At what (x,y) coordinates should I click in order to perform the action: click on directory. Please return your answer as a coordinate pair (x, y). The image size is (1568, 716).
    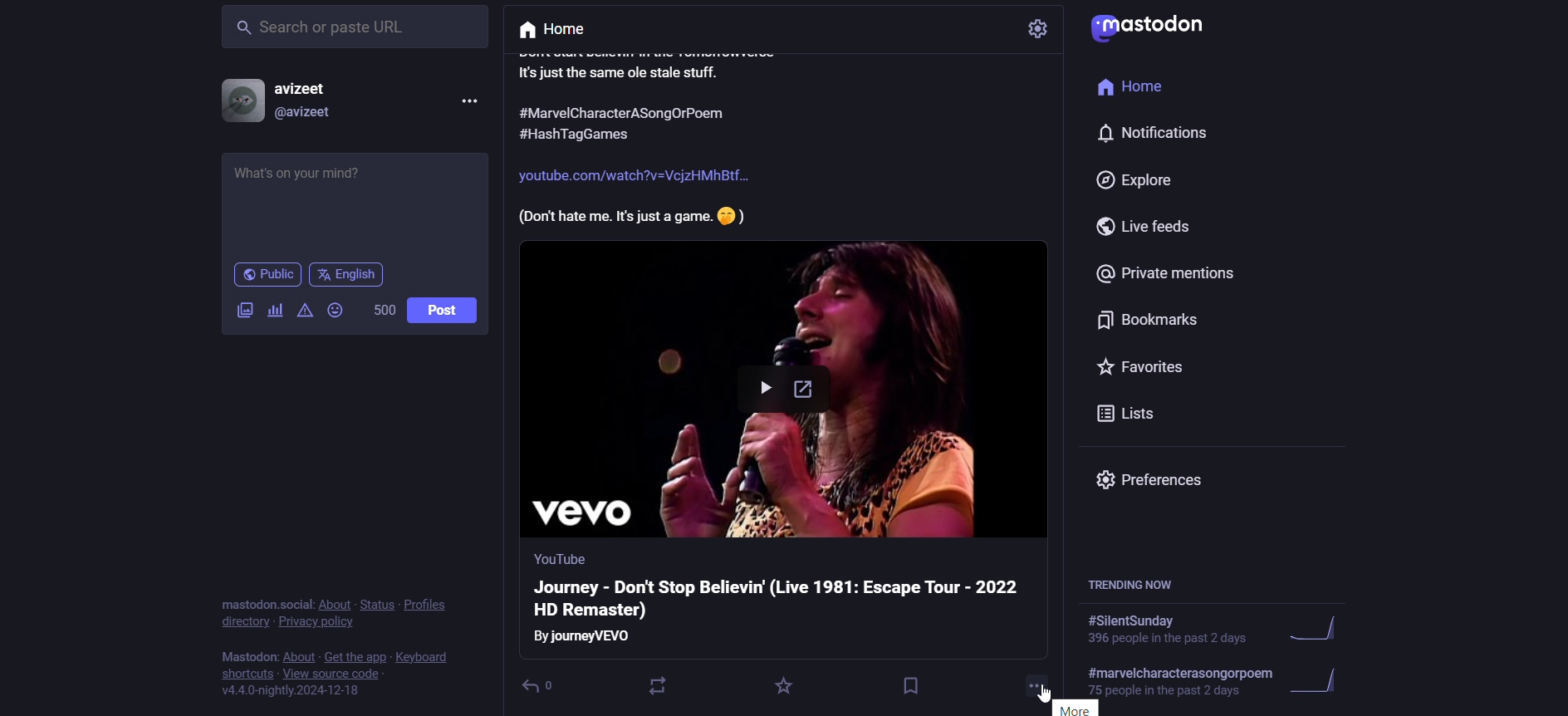
    Looking at the image, I should click on (245, 622).